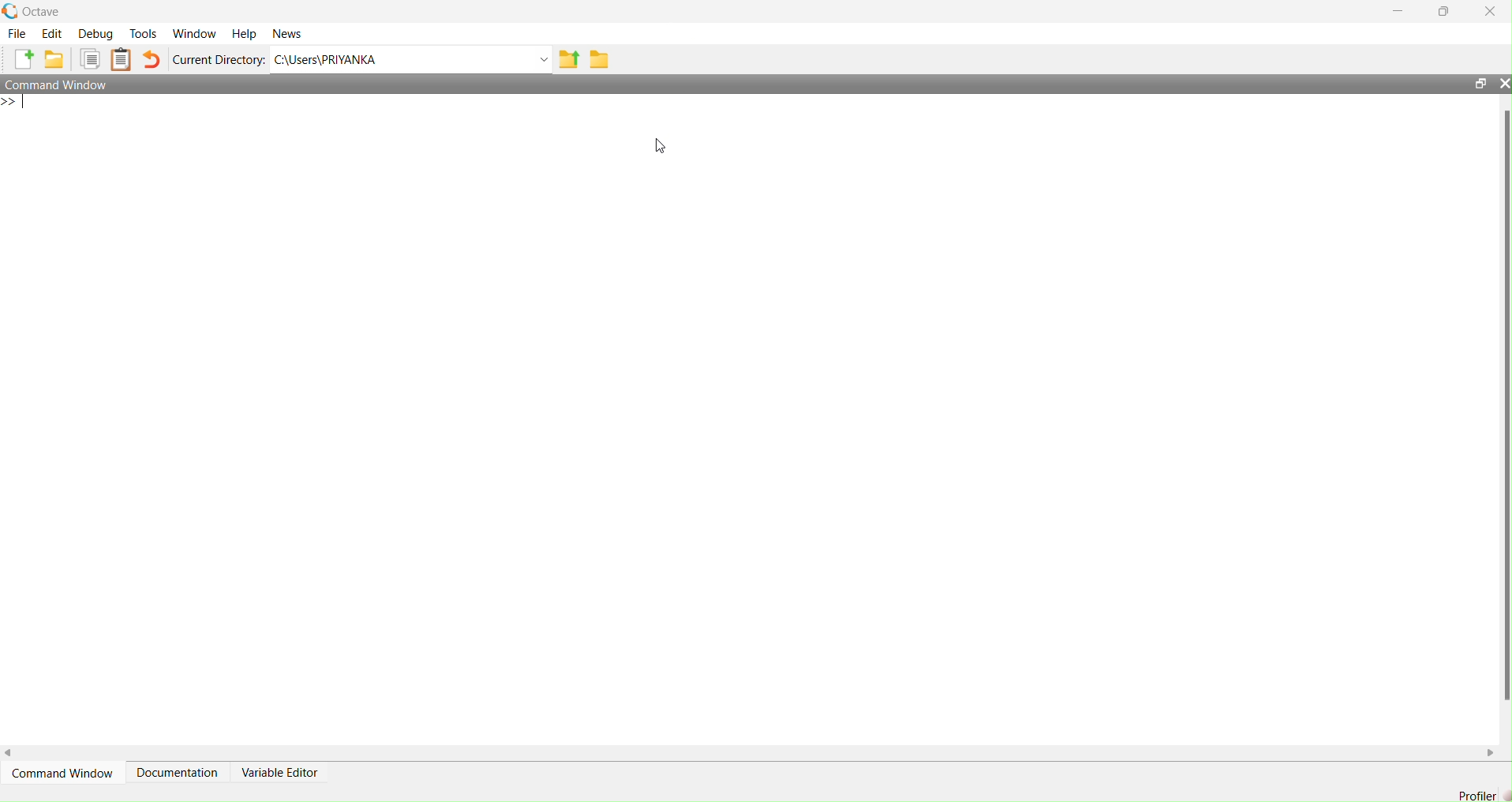 The width and height of the screenshot is (1512, 802). What do you see at coordinates (1476, 82) in the screenshot?
I see `maximise` at bounding box center [1476, 82].